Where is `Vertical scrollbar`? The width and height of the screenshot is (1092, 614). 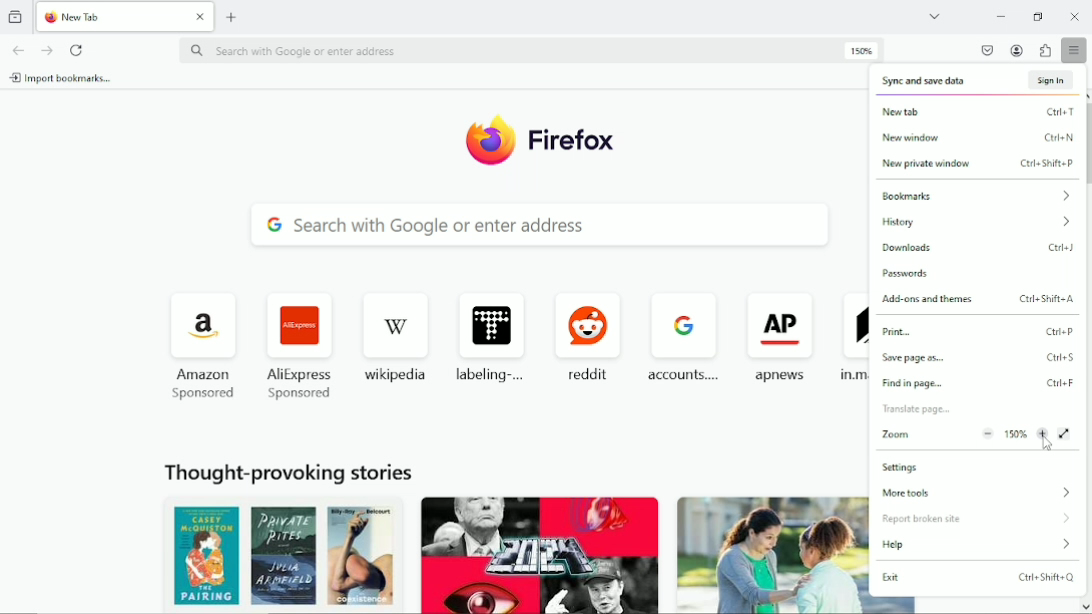 Vertical scrollbar is located at coordinates (1086, 155).